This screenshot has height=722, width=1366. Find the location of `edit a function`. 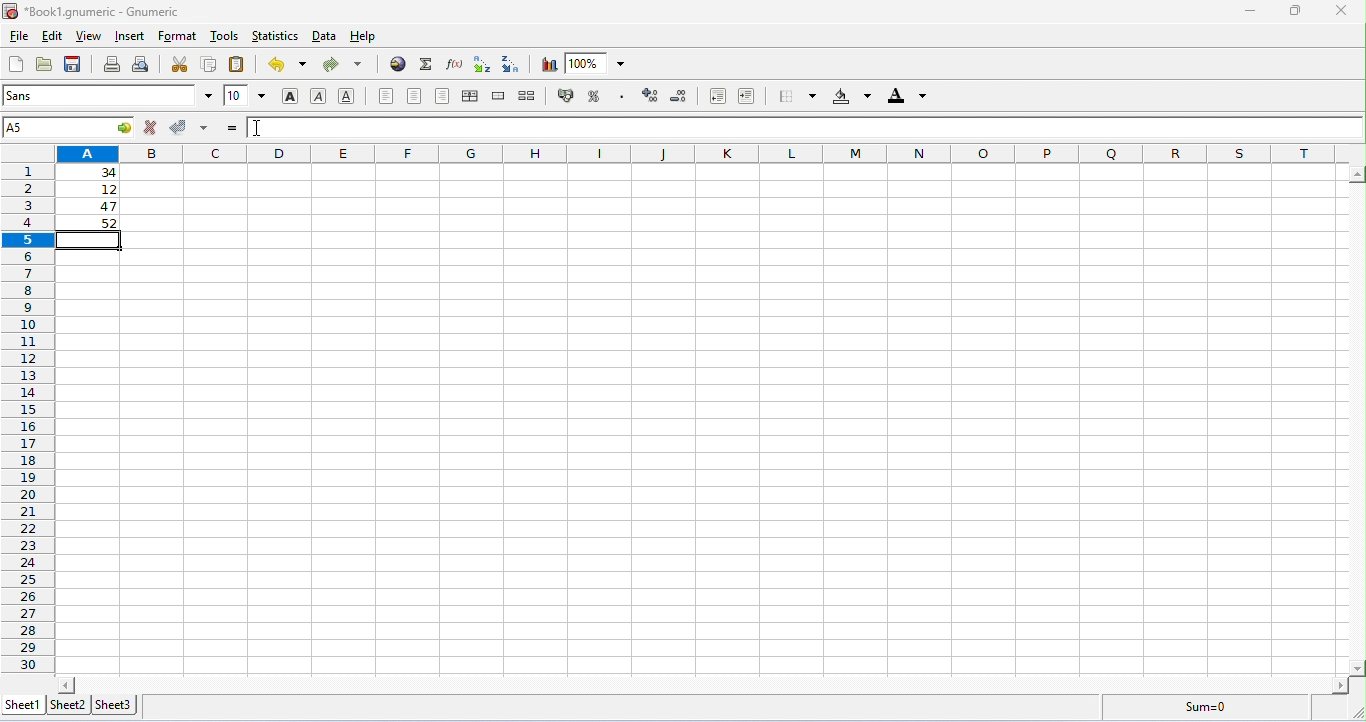

edit a function is located at coordinates (453, 64).